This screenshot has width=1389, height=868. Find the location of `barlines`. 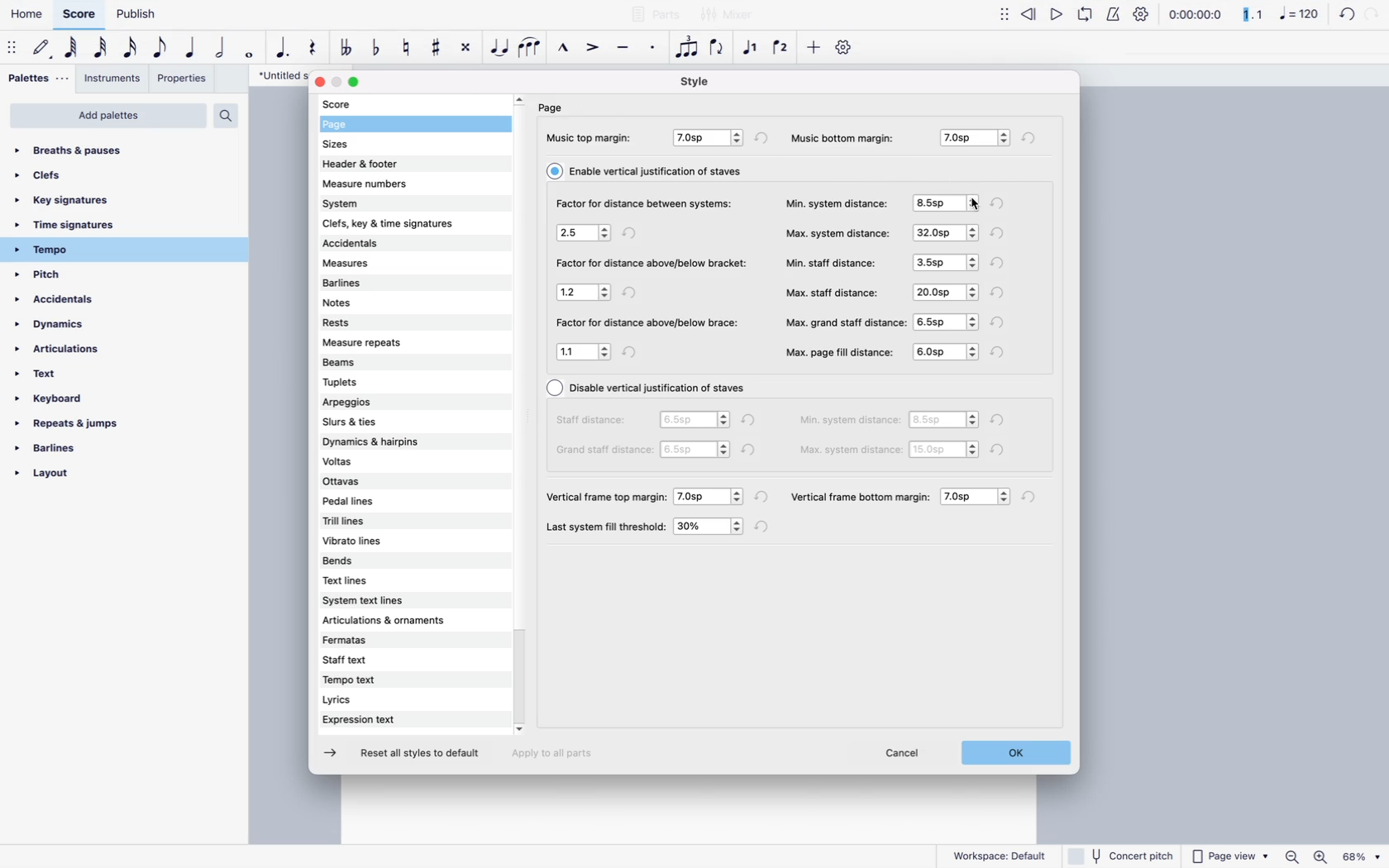

barlines is located at coordinates (76, 453).